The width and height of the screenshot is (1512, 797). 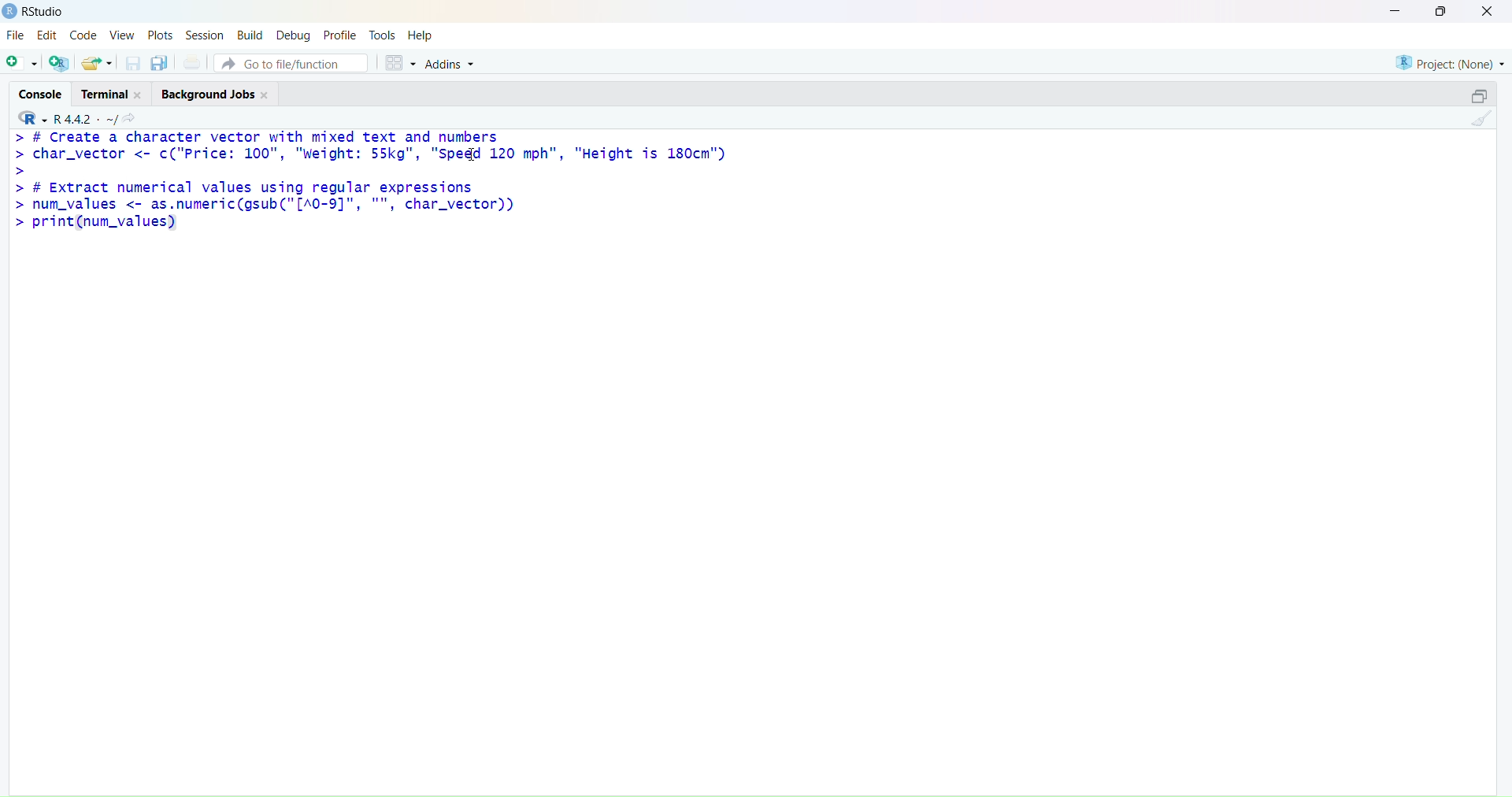 What do you see at coordinates (31, 118) in the screenshot?
I see `R` at bounding box center [31, 118].